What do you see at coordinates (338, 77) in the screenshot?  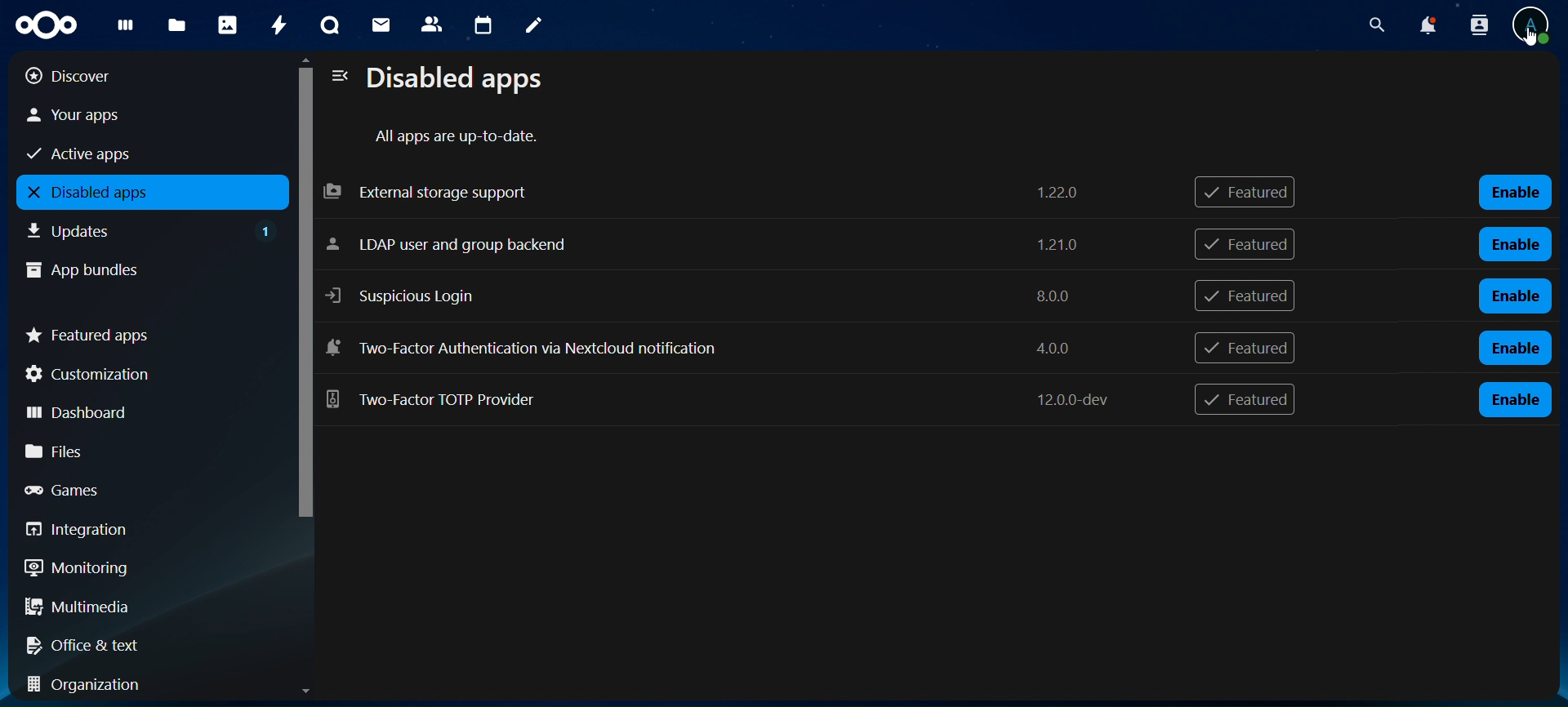 I see `close navigation` at bounding box center [338, 77].